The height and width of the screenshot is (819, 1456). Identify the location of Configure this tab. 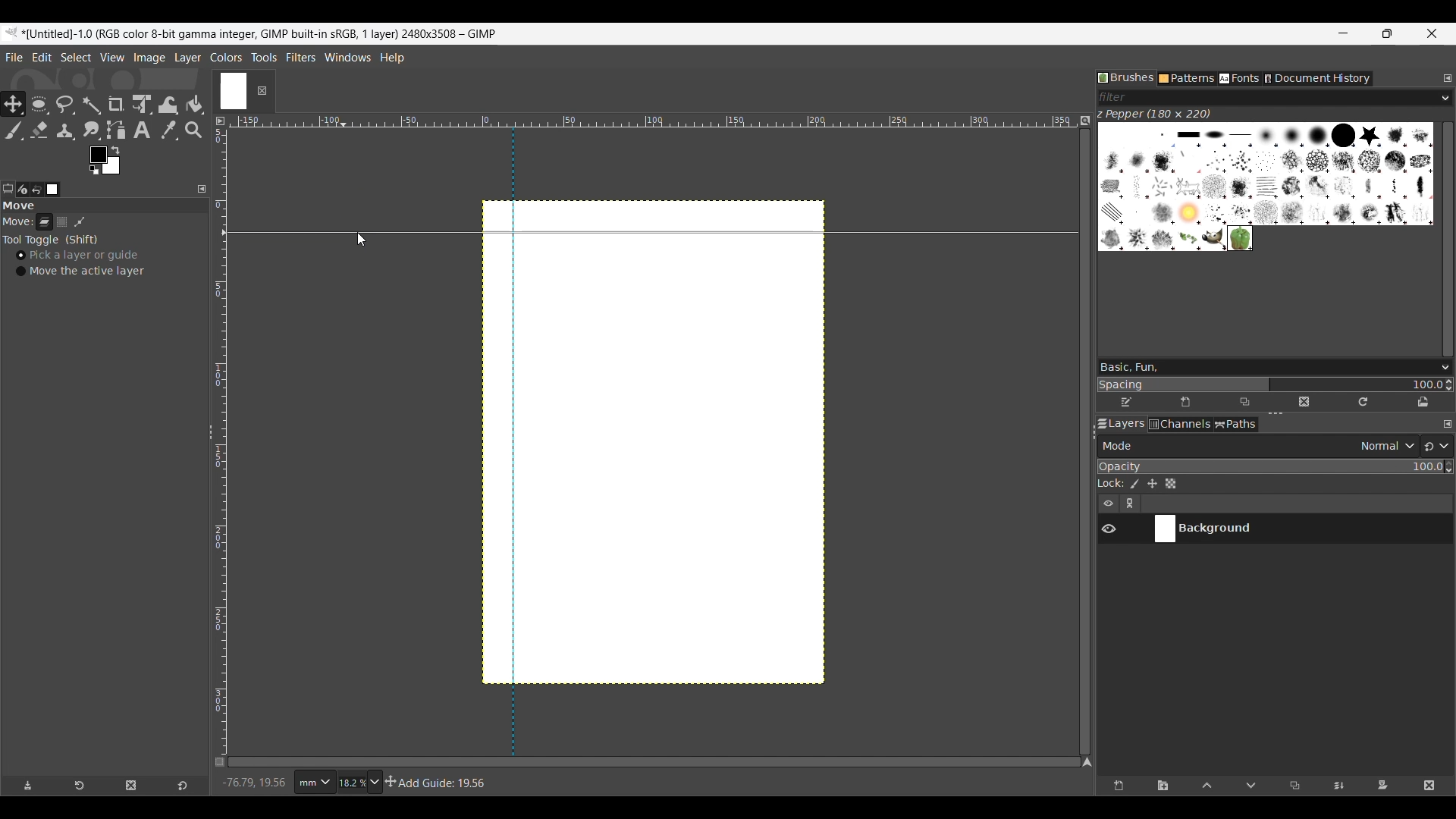
(1447, 424).